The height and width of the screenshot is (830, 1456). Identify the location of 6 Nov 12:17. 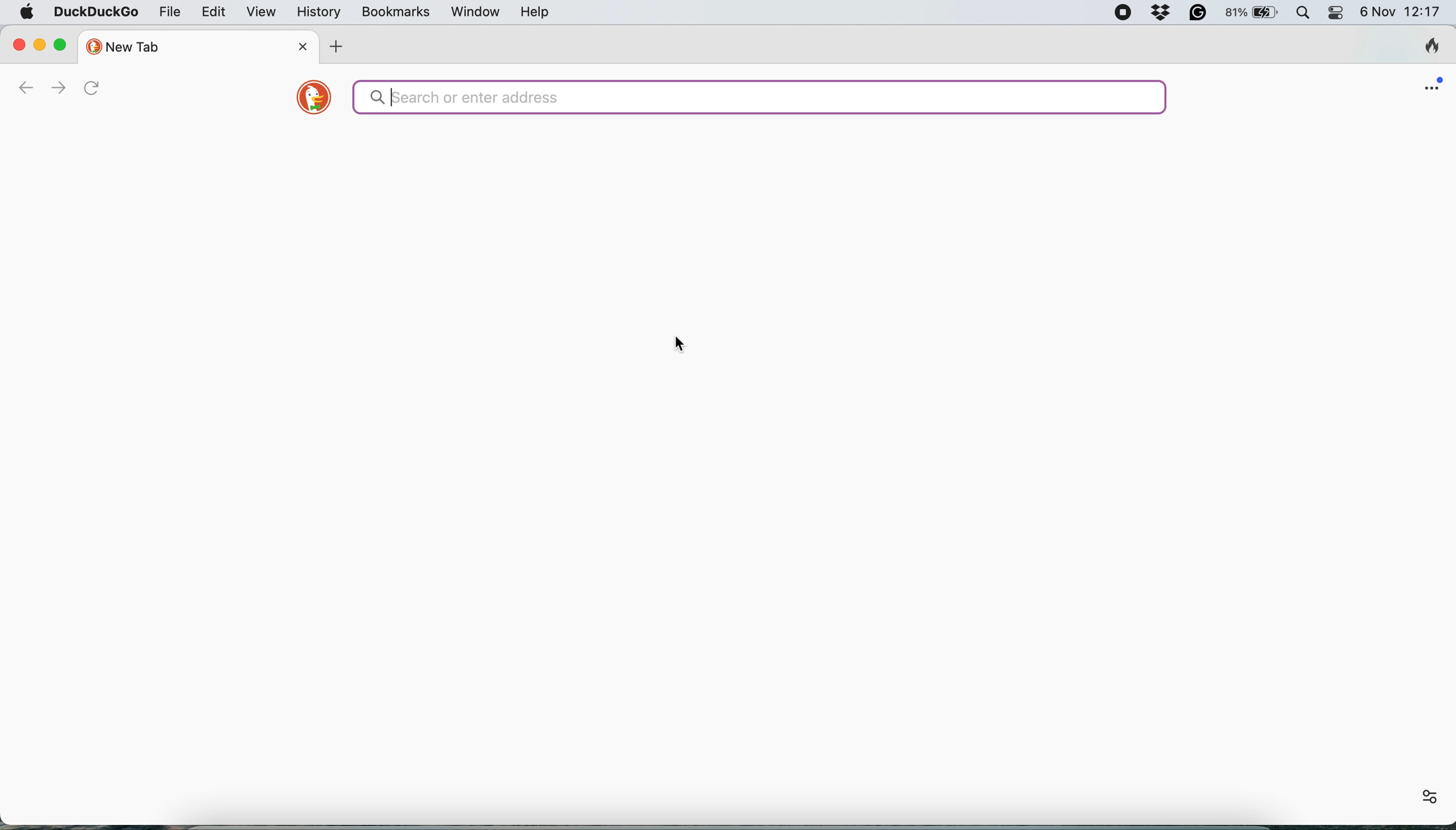
(1400, 11).